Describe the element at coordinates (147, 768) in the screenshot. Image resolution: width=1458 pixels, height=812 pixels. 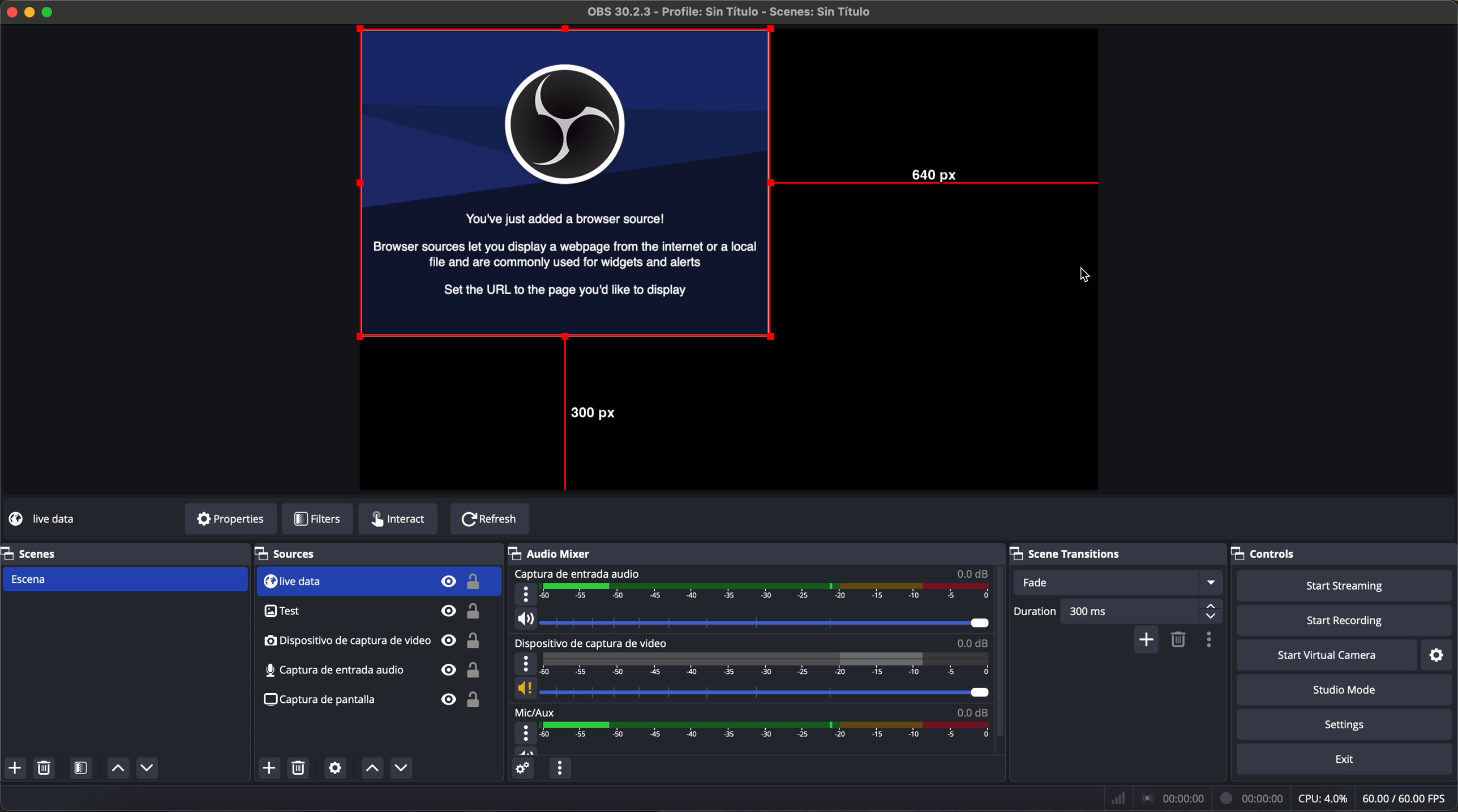
I see `move sources down` at that location.